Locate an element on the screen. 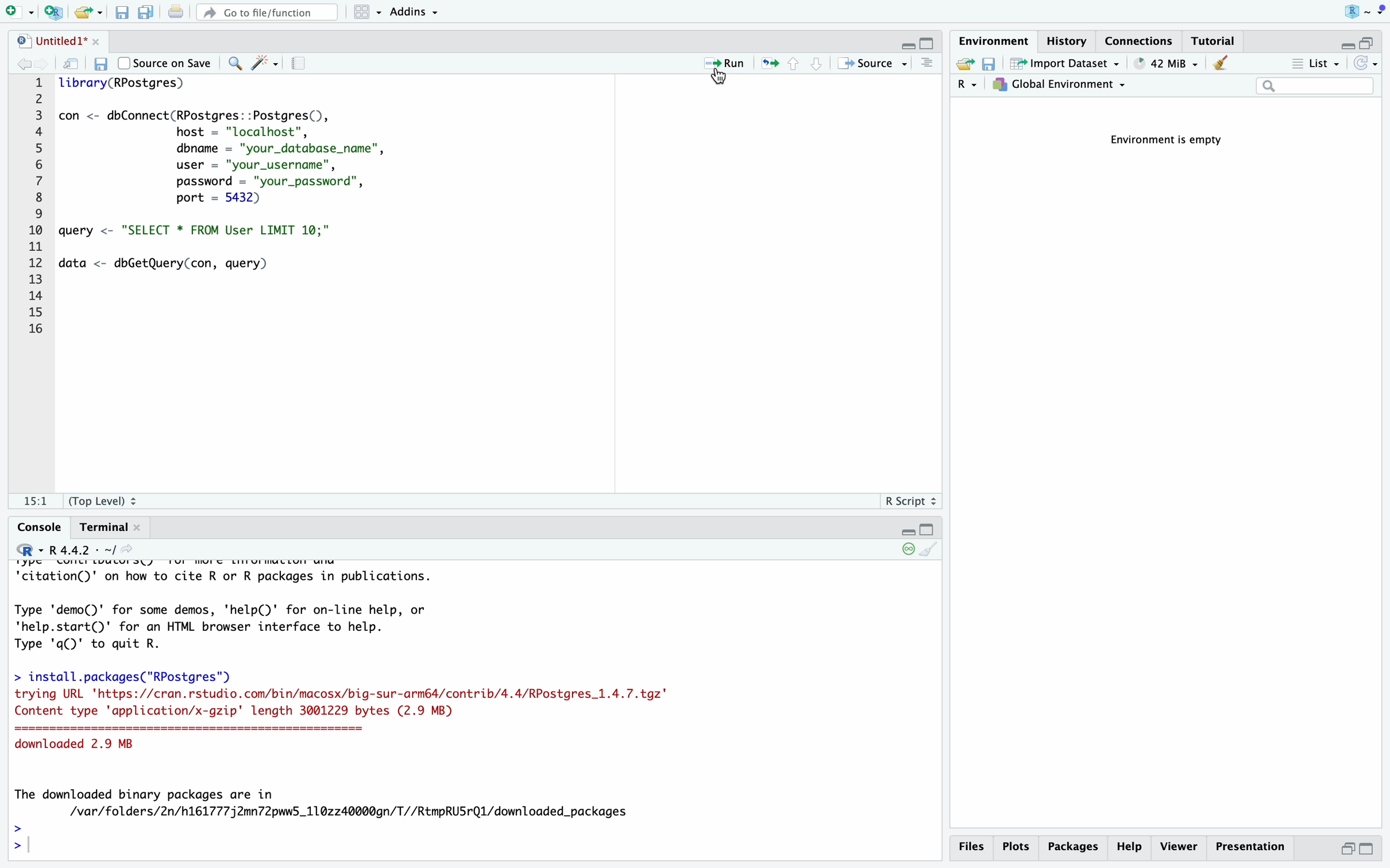 The width and height of the screenshot is (1390, 868). R 4.4.2 . ~/ is located at coordinates (86, 551).